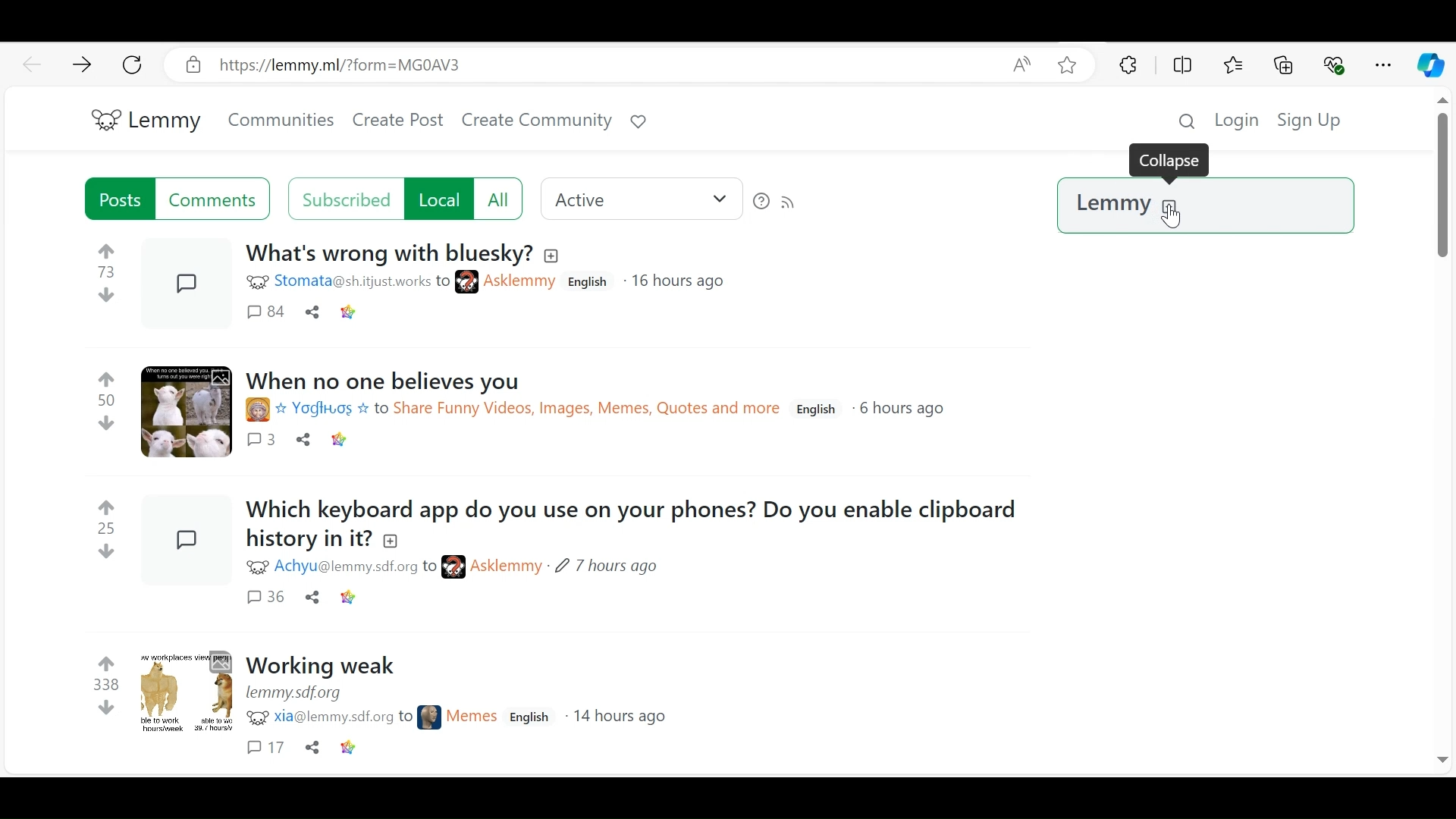  What do you see at coordinates (303, 695) in the screenshot?
I see `link` at bounding box center [303, 695].